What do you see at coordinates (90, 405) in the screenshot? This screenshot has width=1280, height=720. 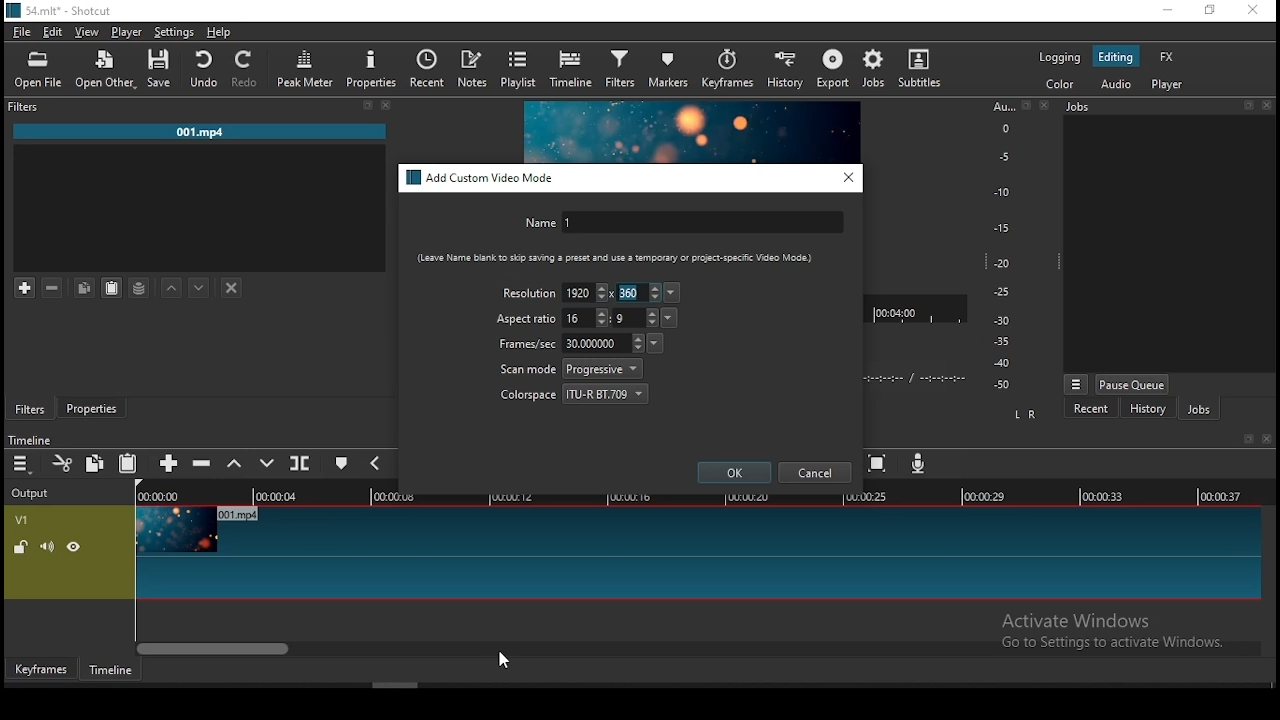 I see `properties` at bounding box center [90, 405].